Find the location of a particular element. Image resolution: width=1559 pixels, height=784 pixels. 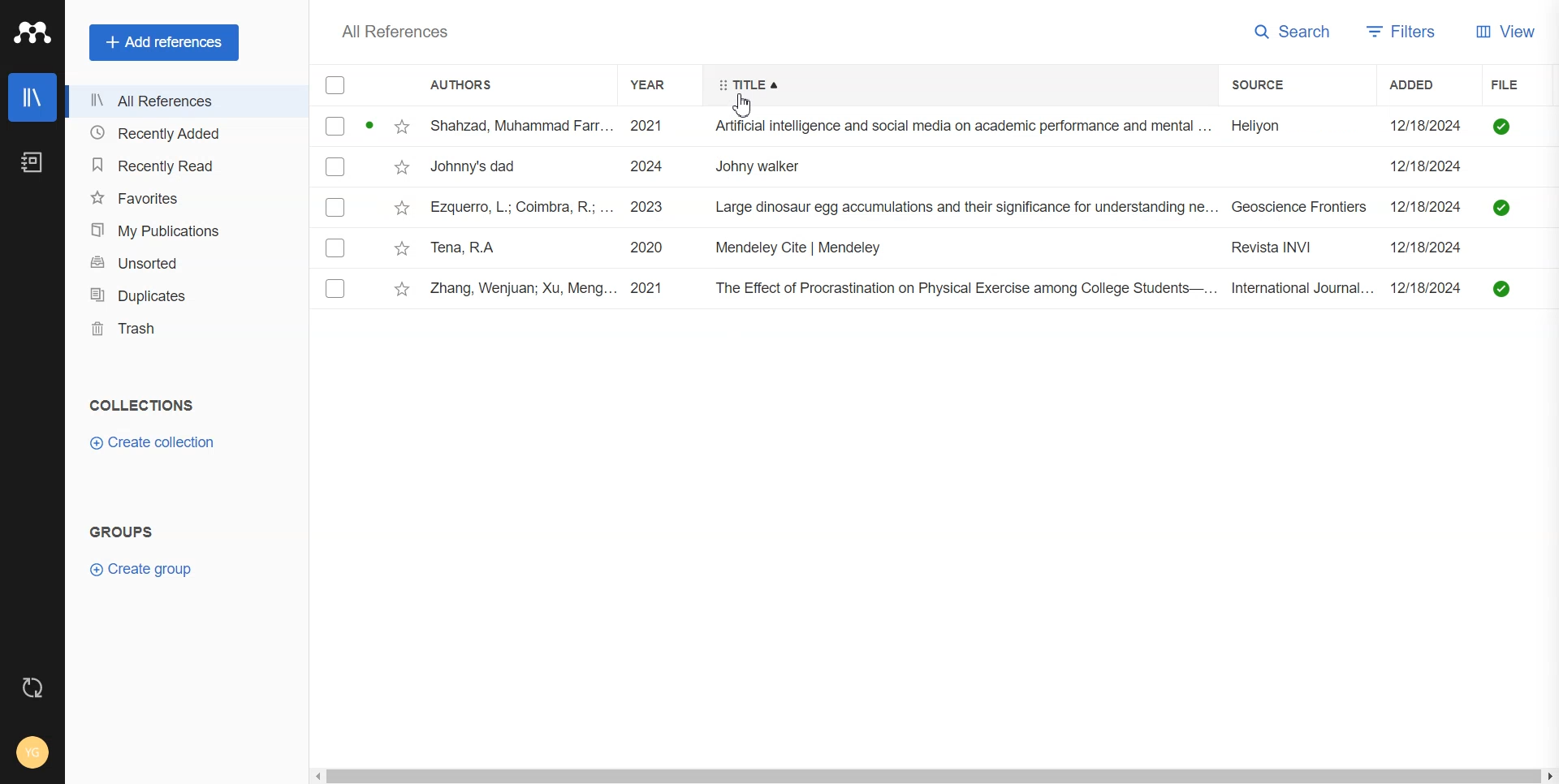

mark as star is located at coordinates (401, 166).